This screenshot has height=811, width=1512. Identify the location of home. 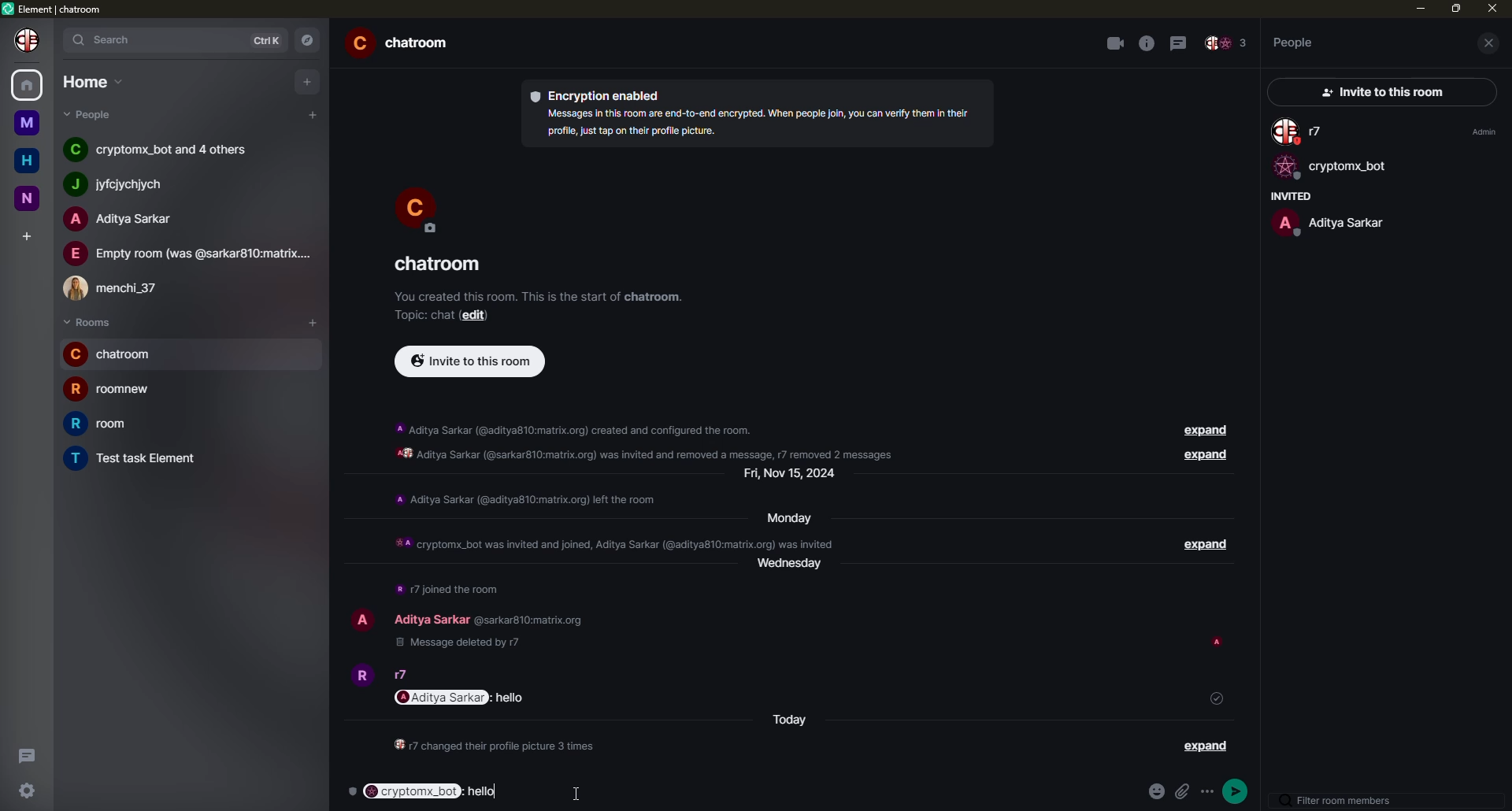
(28, 83).